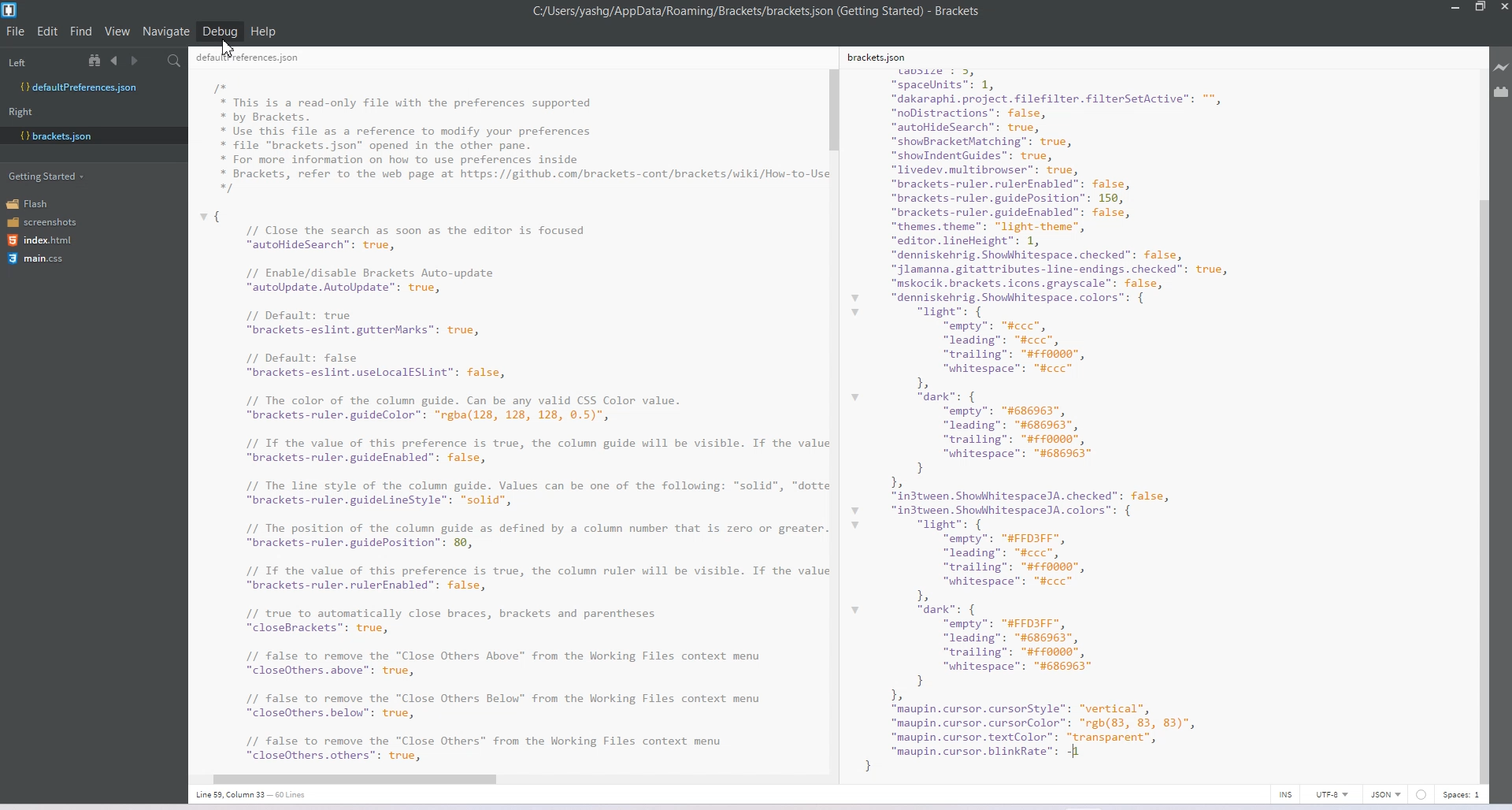  What do you see at coordinates (33, 203) in the screenshot?
I see `Flash` at bounding box center [33, 203].